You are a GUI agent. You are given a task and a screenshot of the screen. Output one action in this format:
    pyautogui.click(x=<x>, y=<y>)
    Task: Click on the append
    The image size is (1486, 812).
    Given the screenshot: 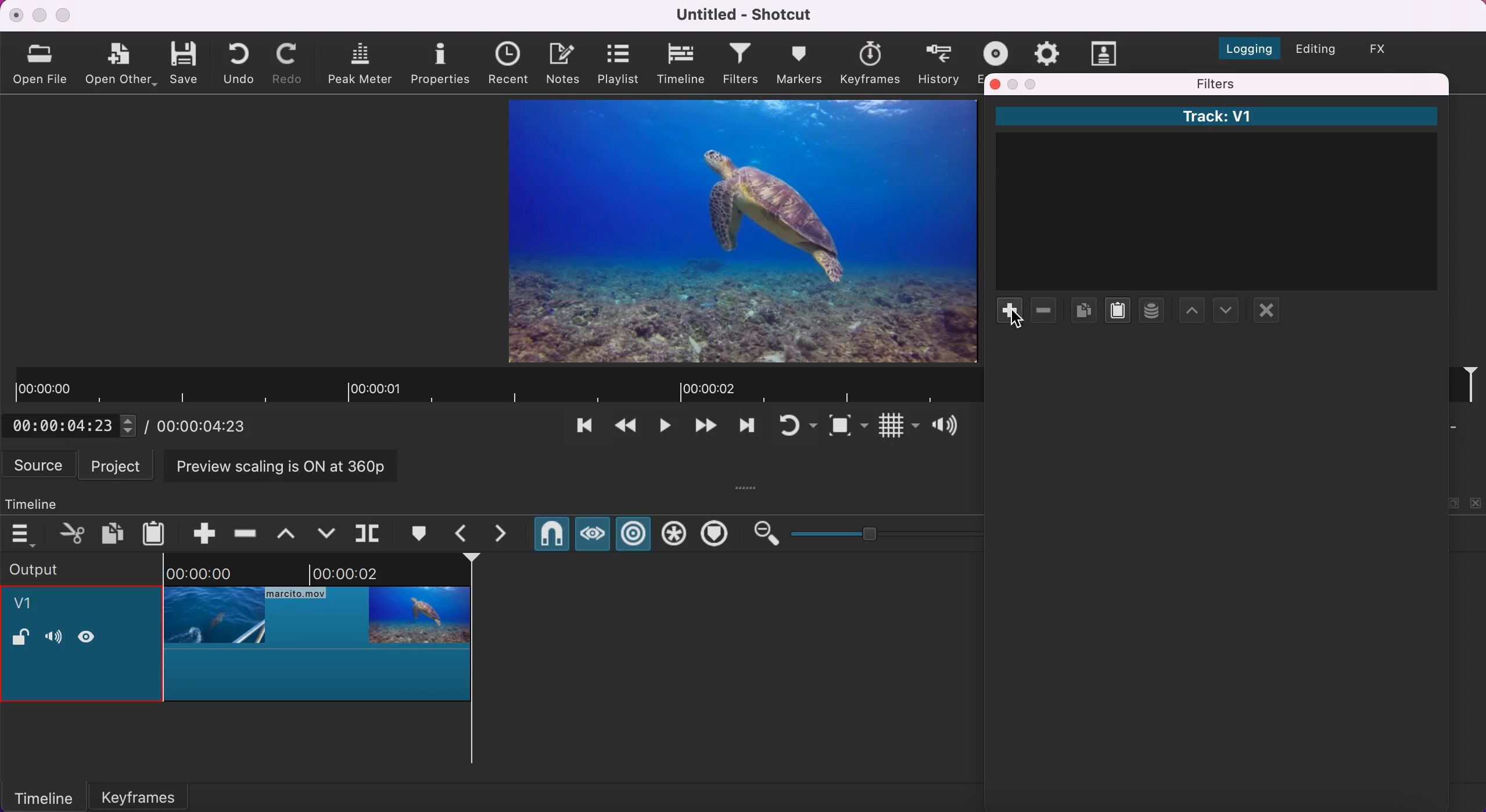 What is the action you would take?
    pyautogui.click(x=196, y=531)
    